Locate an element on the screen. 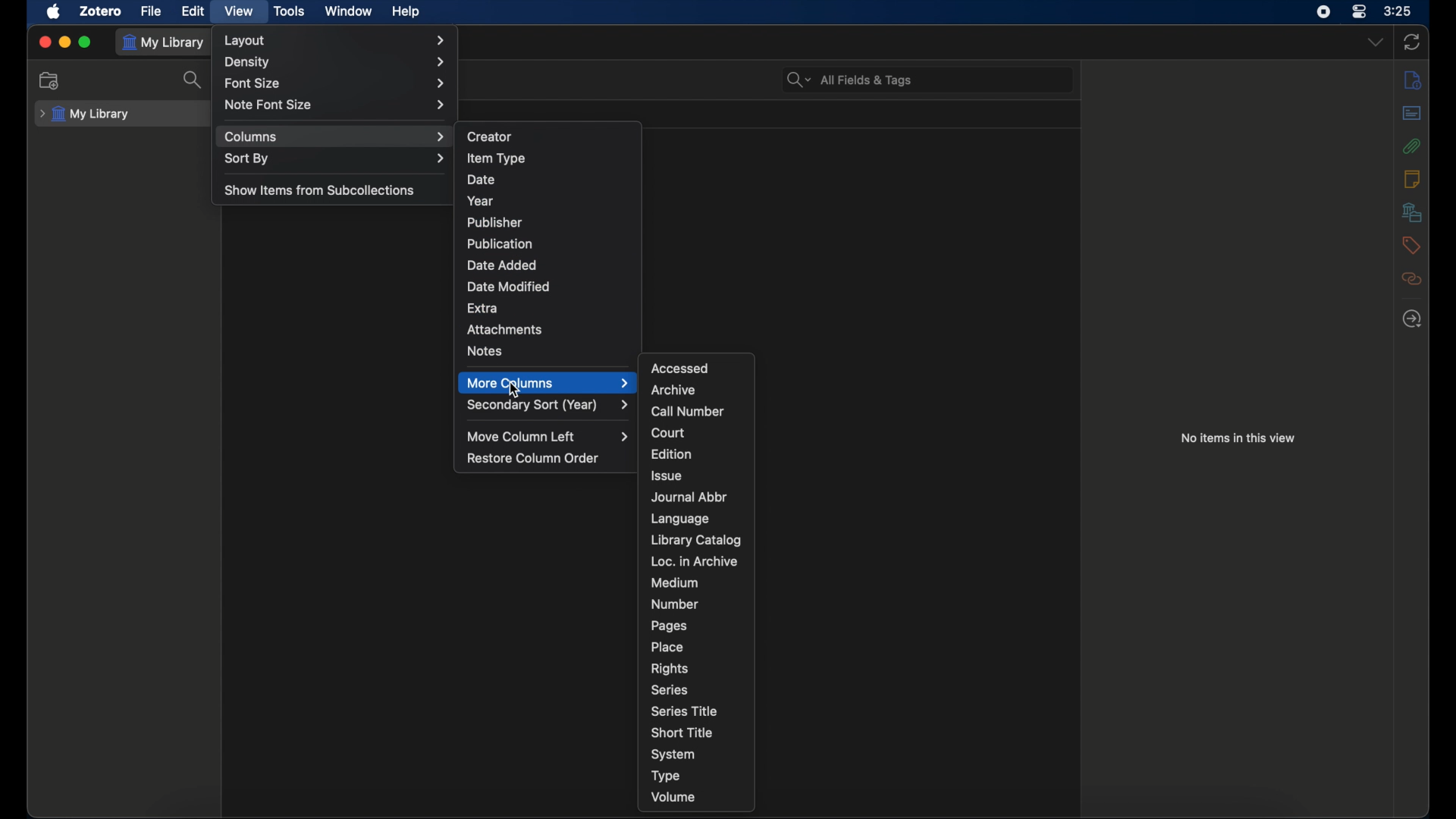 Image resolution: width=1456 pixels, height=819 pixels. date added is located at coordinates (502, 265).